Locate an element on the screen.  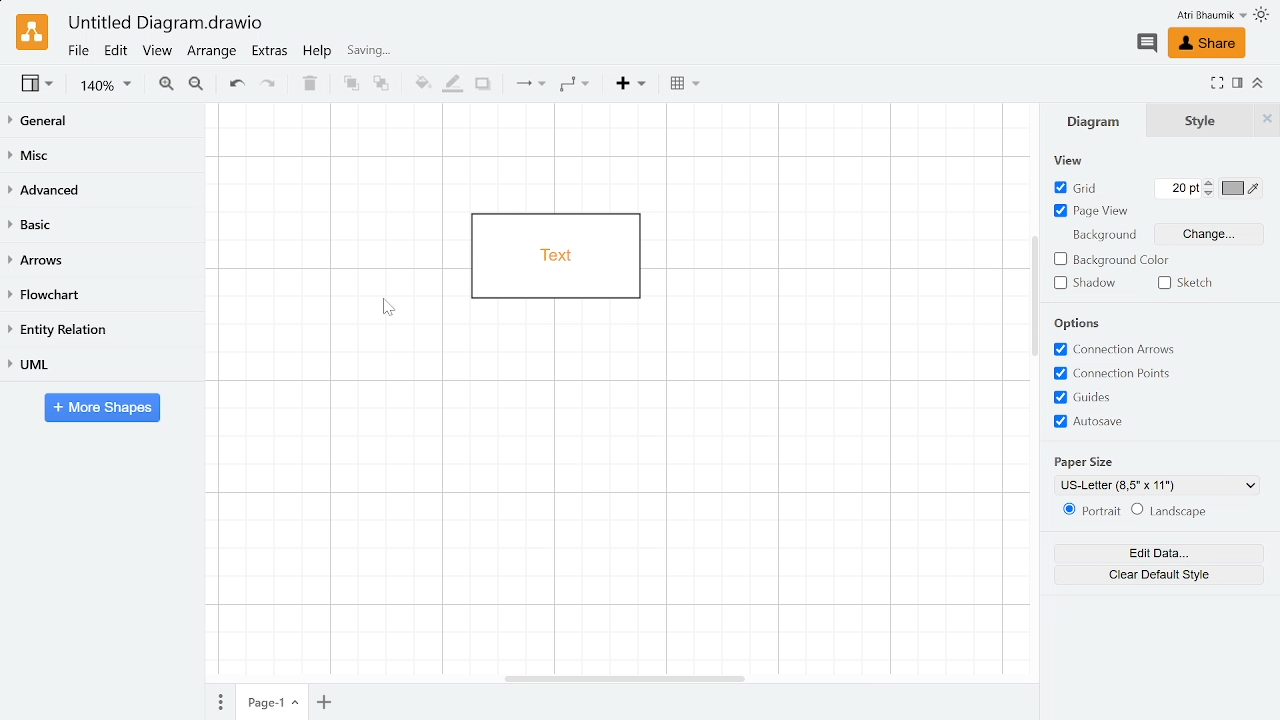
Add page is located at coordinates (327, 701).